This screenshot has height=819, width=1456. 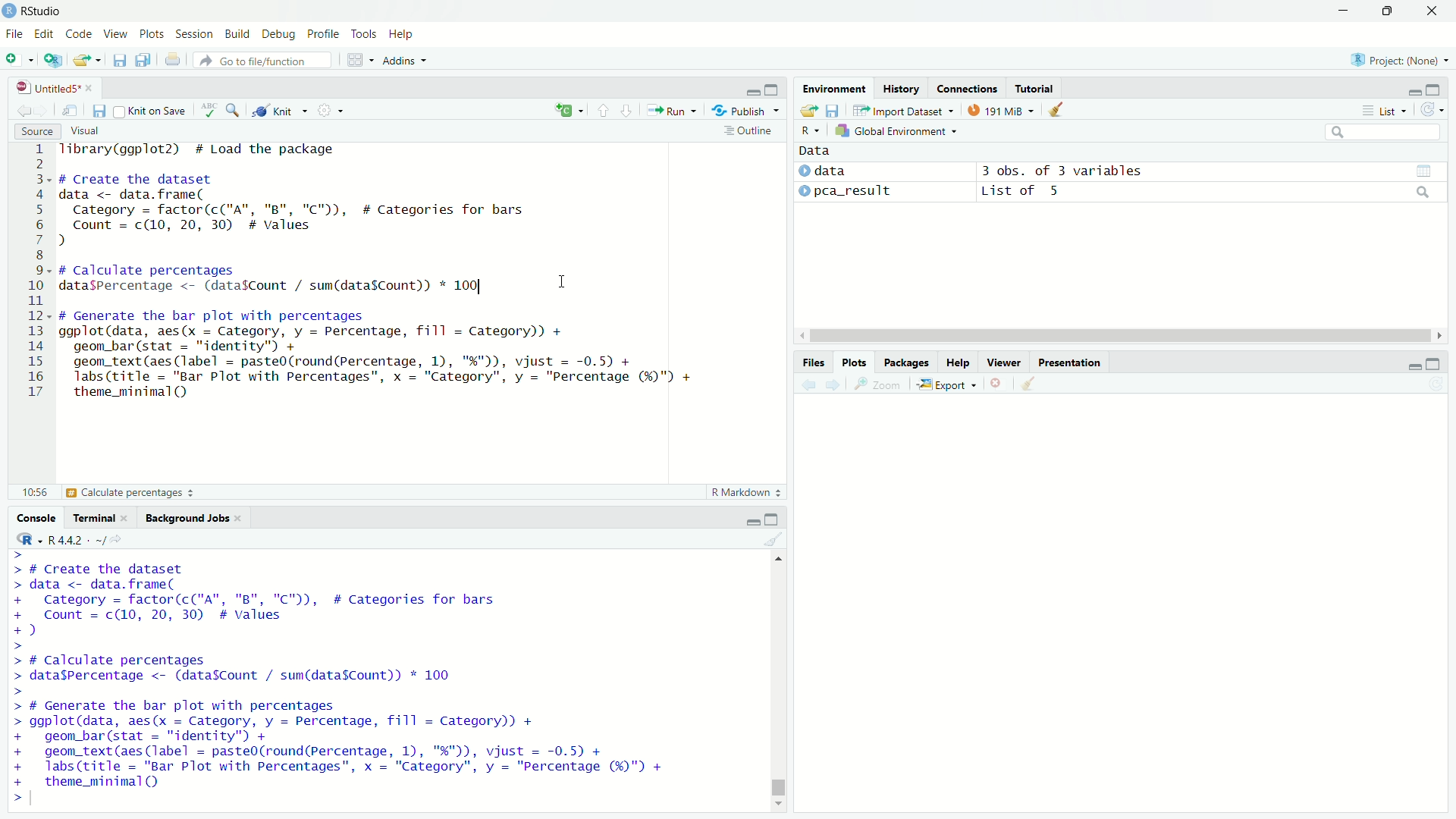 What do you see at coordinates (43, 111) in the screenshot?
I see `go forward` at bounding box center [43, 111].